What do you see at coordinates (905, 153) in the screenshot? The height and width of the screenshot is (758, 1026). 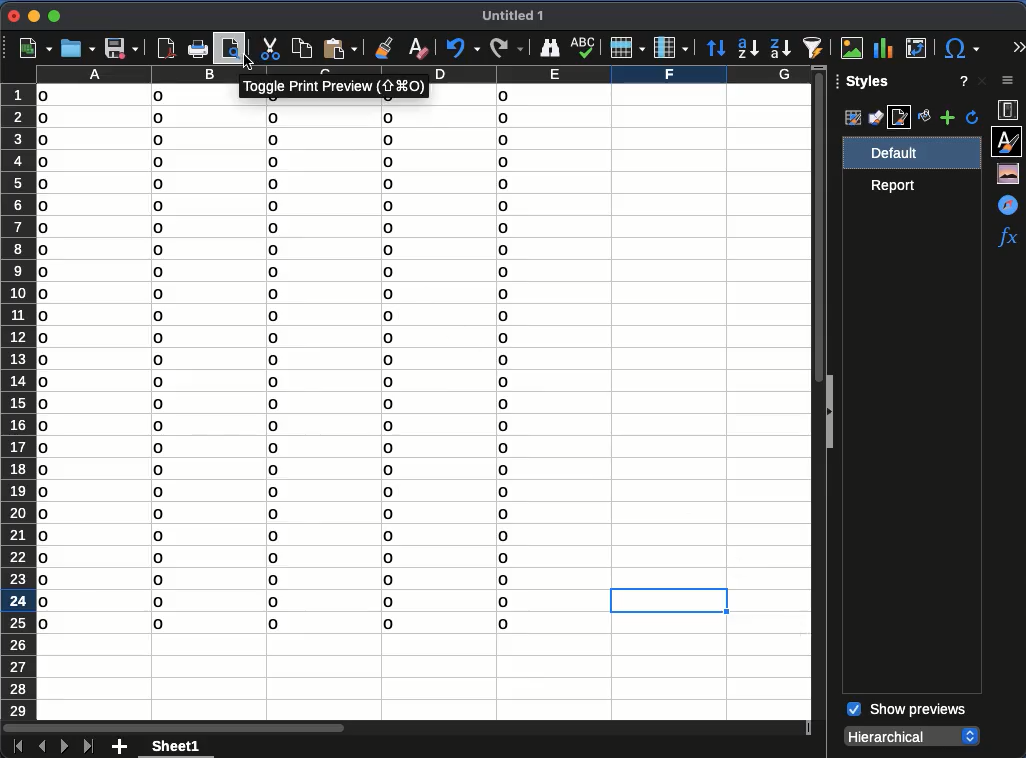 I see `default ` at bounding box center [905, 153].